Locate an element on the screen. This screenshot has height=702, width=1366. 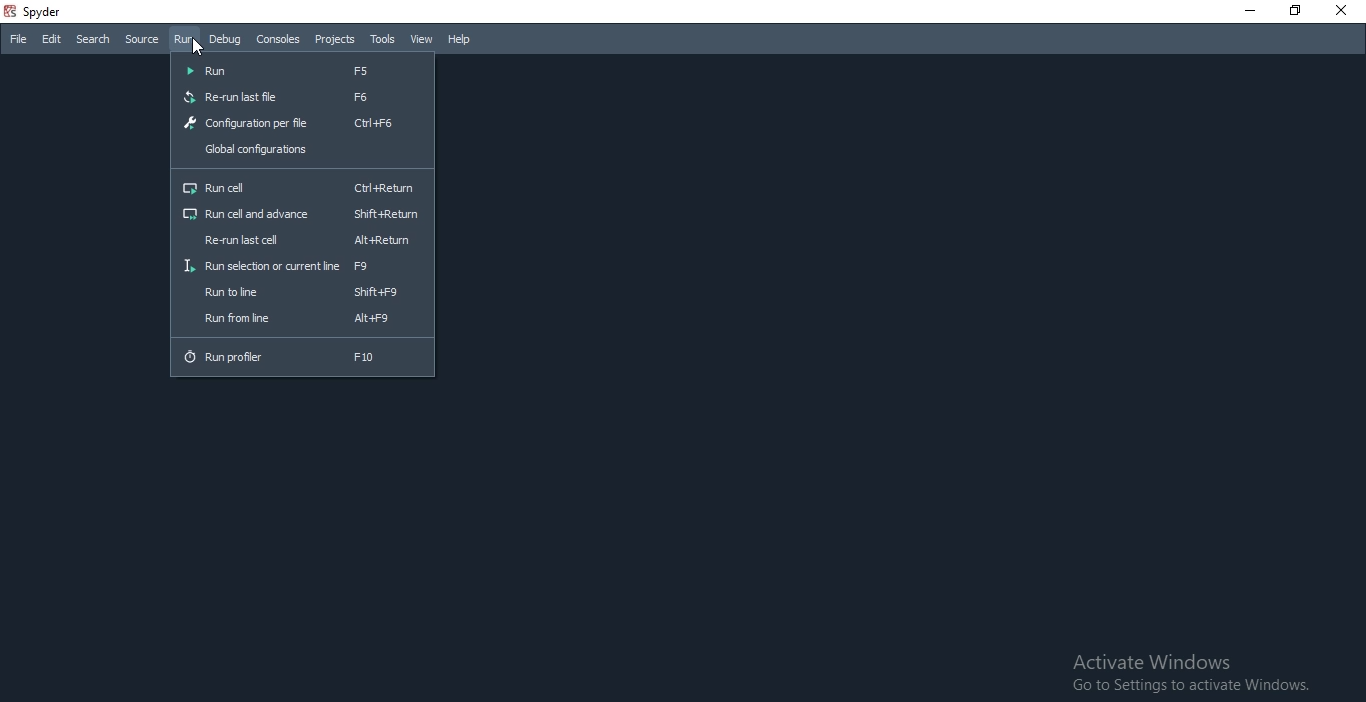
Help is located at coordinates (462, 41).